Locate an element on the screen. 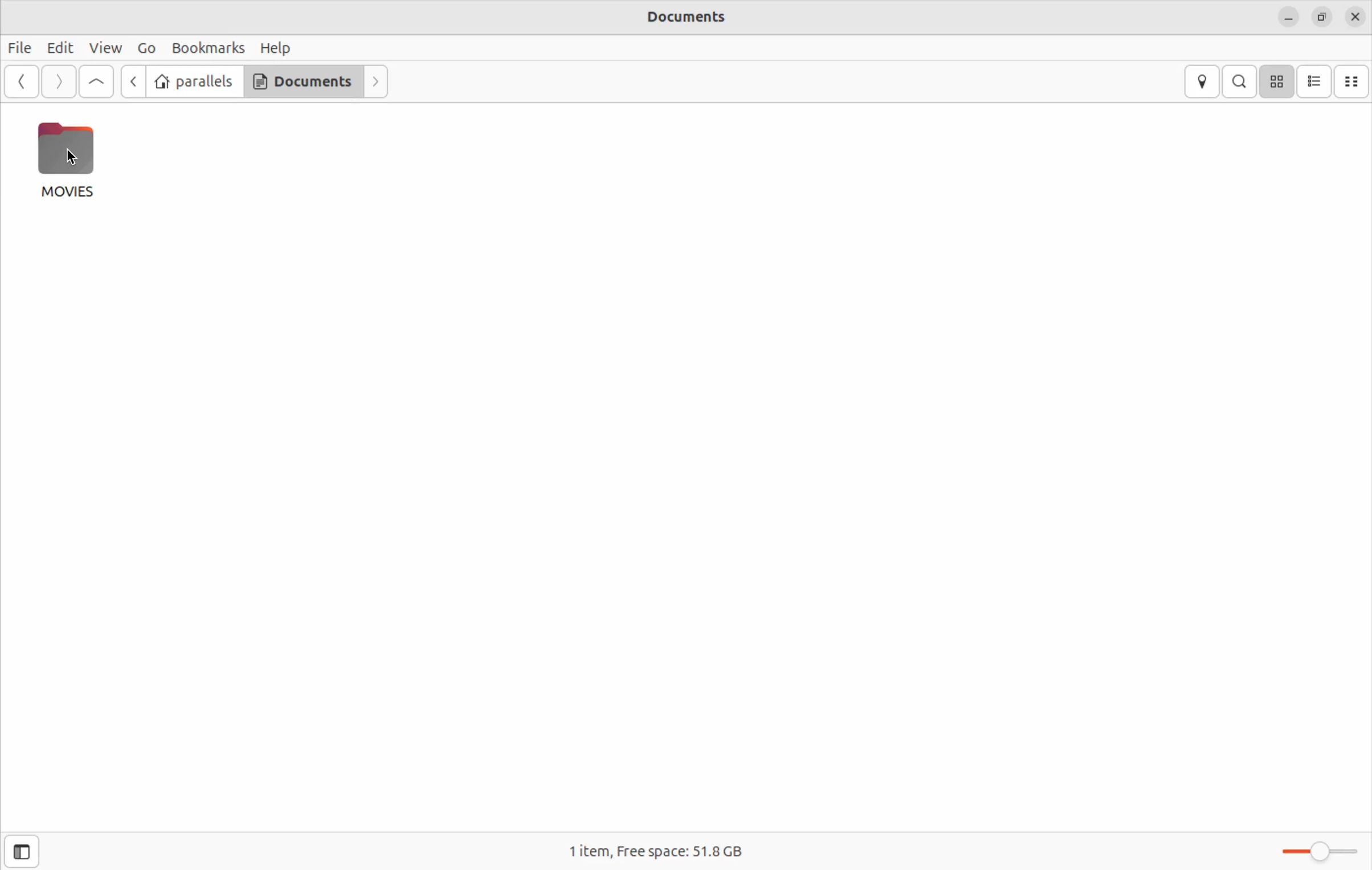  parallels is located at coordinates (195, 80).